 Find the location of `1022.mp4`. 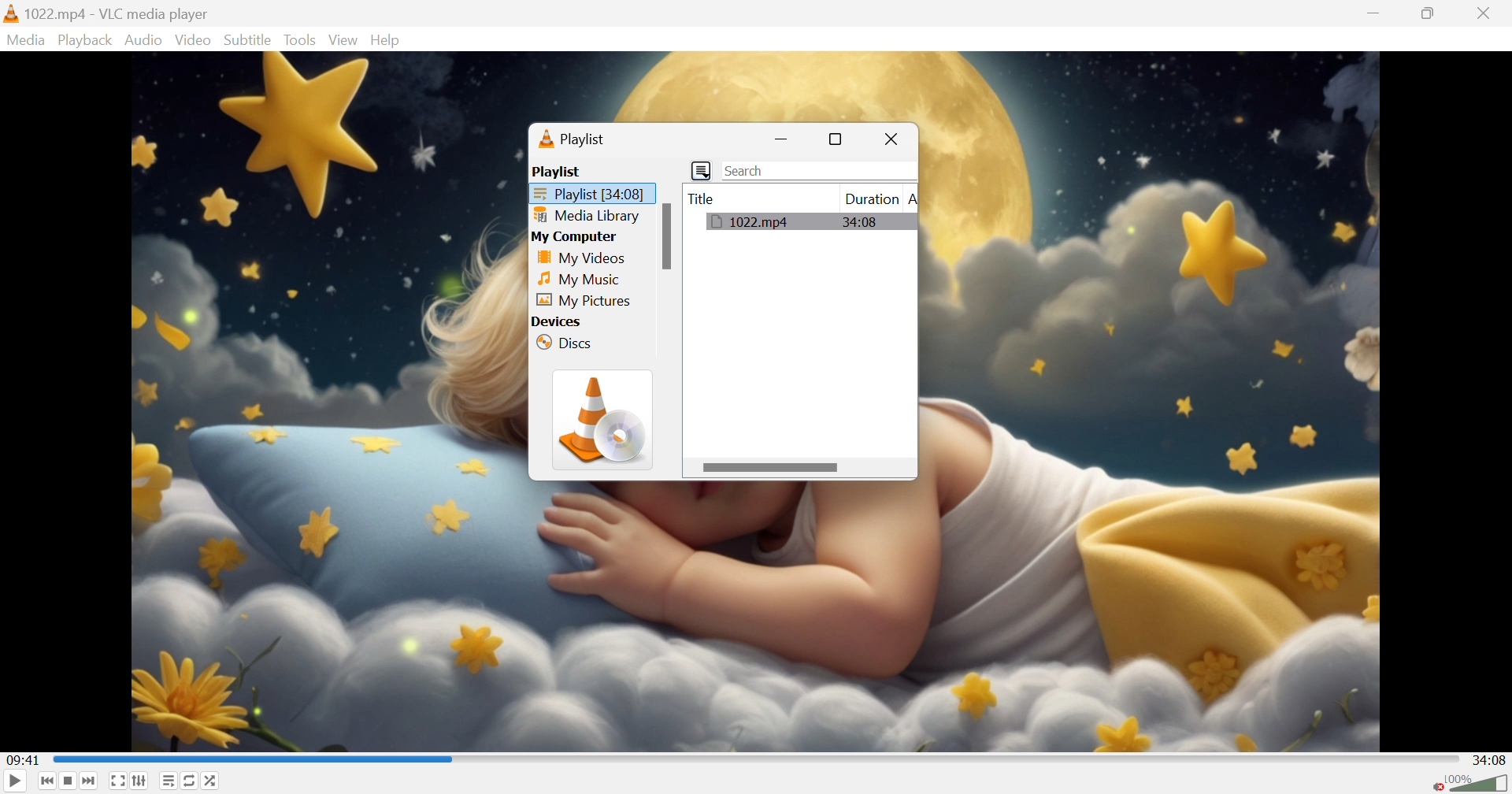

1022.mp4 is located at coordinates (754, 221).